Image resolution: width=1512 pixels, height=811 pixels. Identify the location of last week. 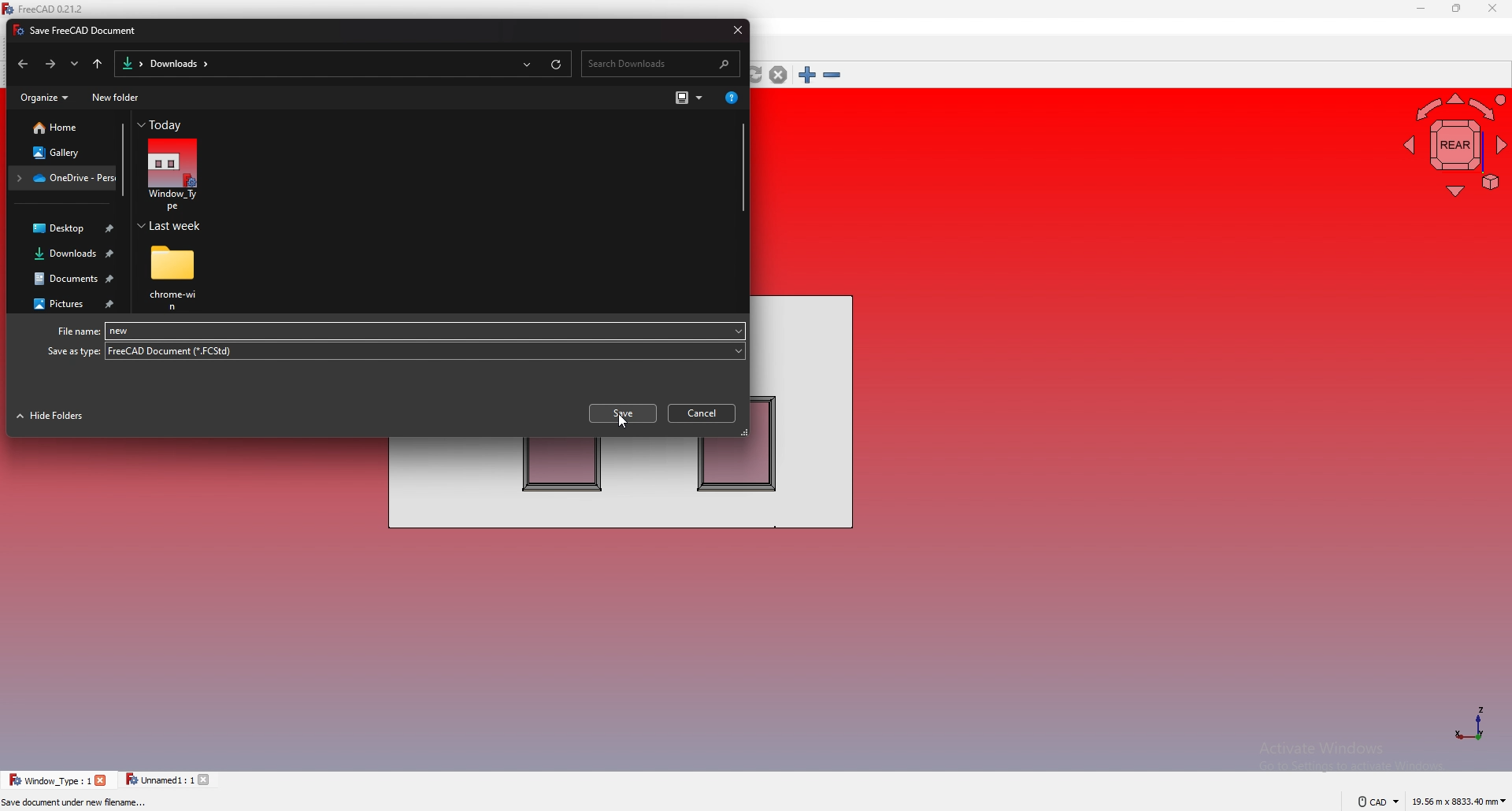
(174, 227).